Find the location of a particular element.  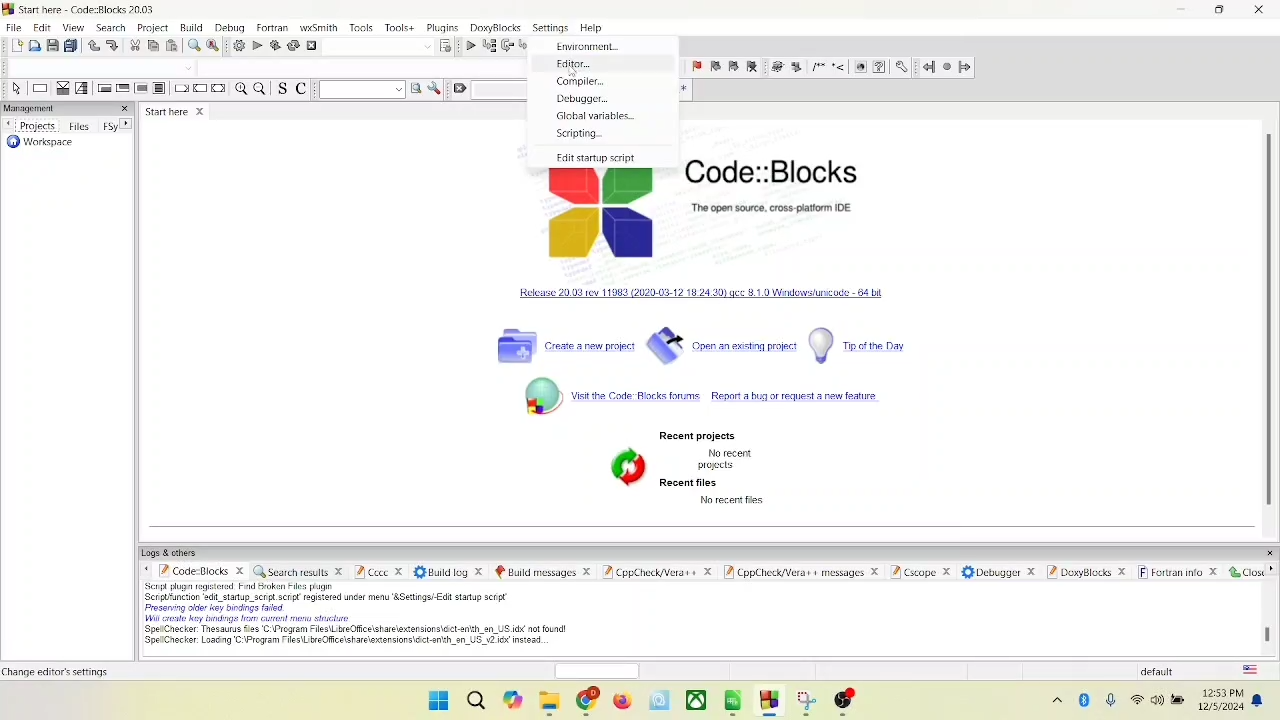

paste is located at coordinates (172, 46).